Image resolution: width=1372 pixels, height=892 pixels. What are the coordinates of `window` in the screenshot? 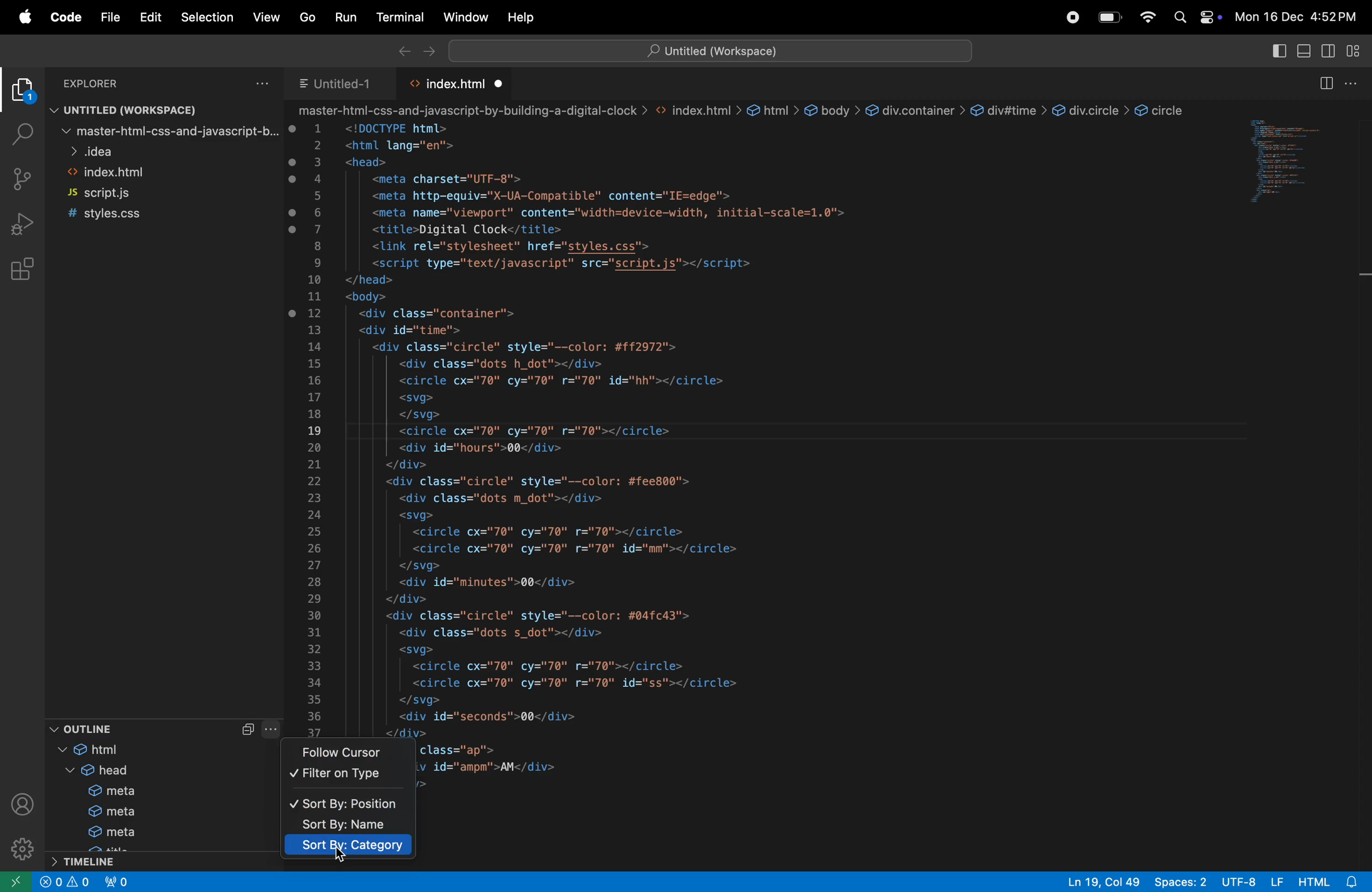 It's located at (462, 17).